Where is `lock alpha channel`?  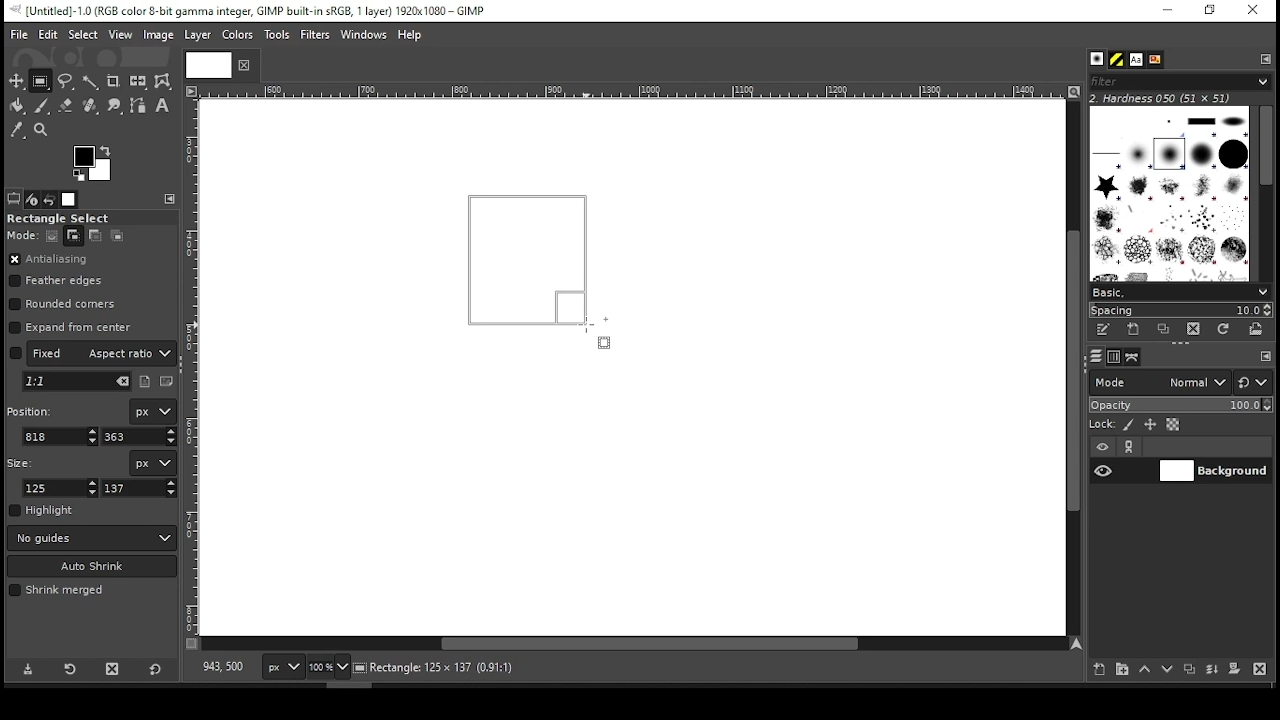
lock alpha channel is located at coordinates (1172, 425).